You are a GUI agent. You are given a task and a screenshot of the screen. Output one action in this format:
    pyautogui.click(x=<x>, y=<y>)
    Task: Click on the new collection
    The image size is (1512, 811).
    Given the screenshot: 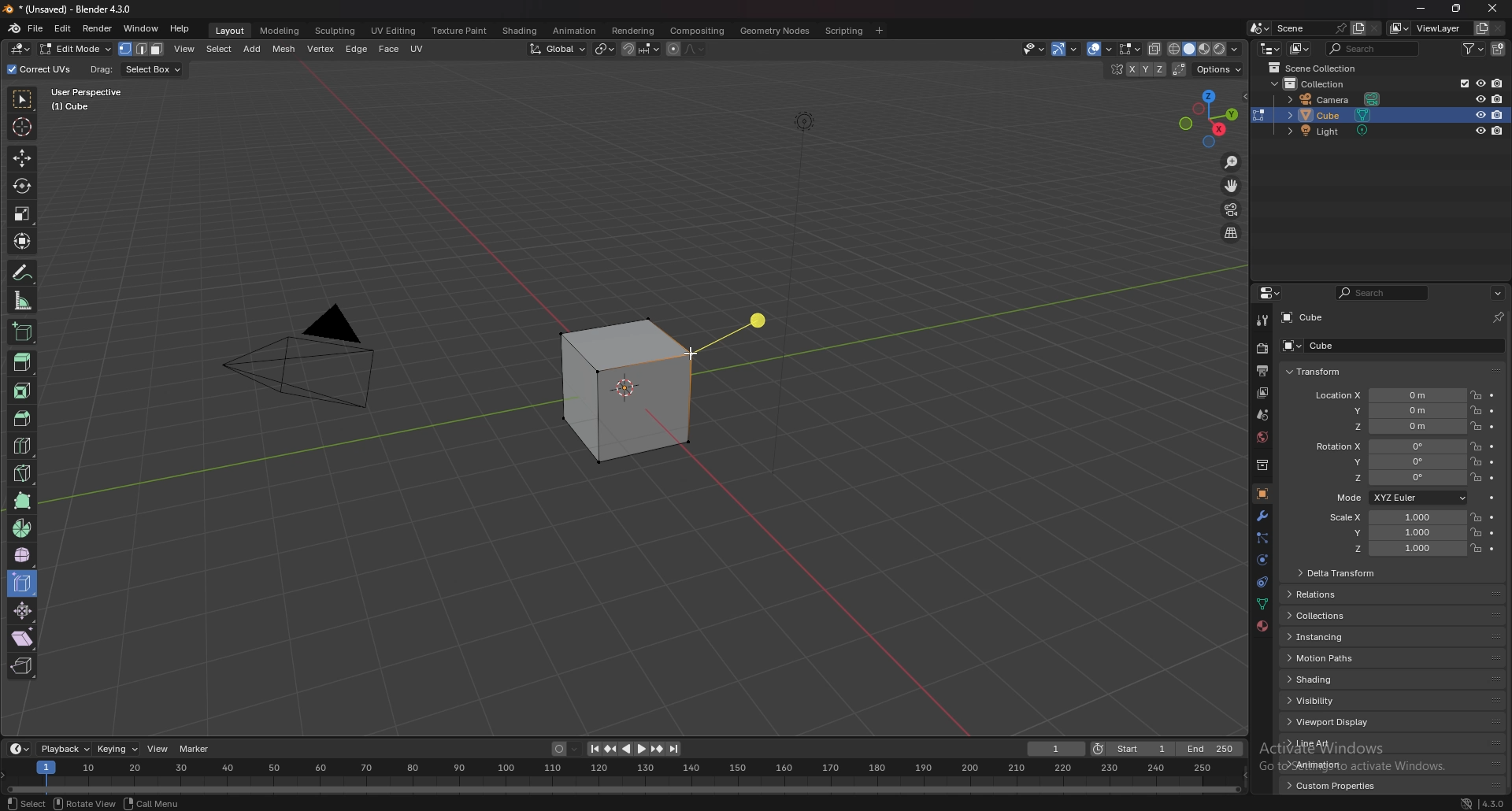 What is the action you would take?
    pyautogui.click(x=1499, y=49)
    